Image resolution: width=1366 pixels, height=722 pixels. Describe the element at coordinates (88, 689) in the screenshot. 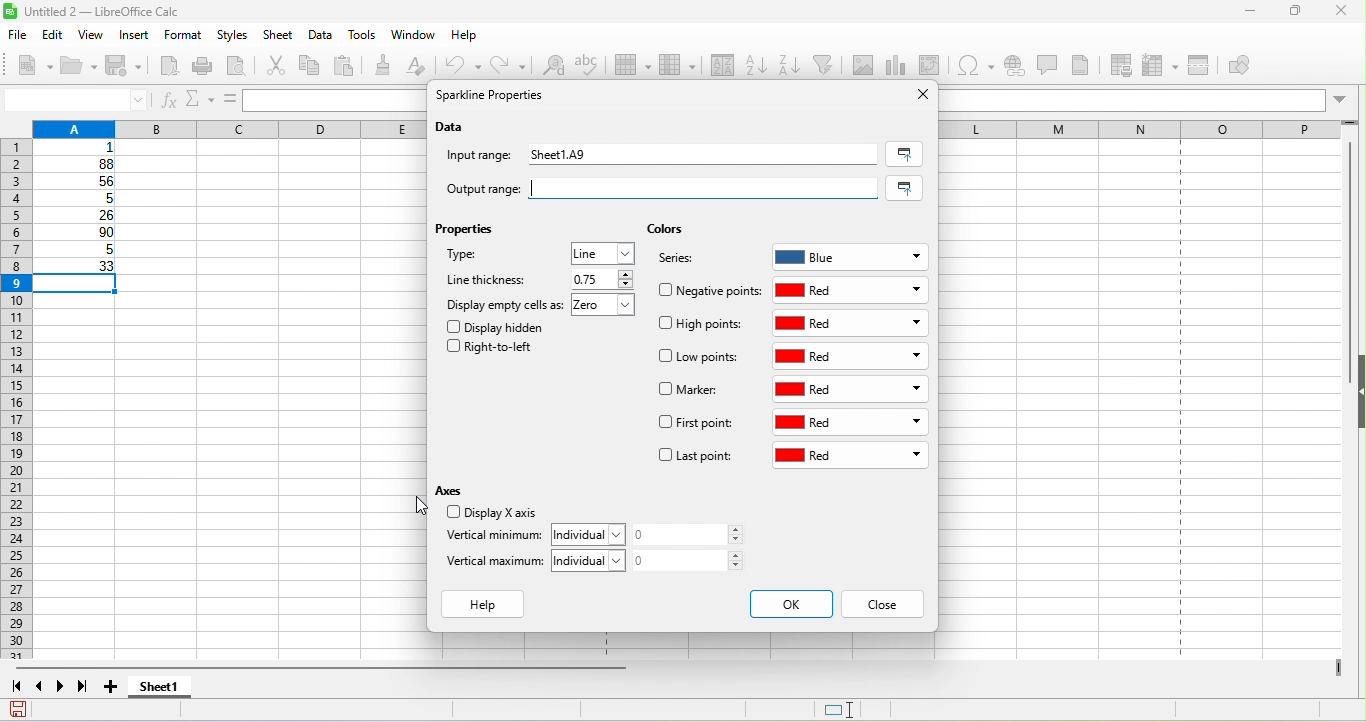

I see `scroll to last sheet` at that location.